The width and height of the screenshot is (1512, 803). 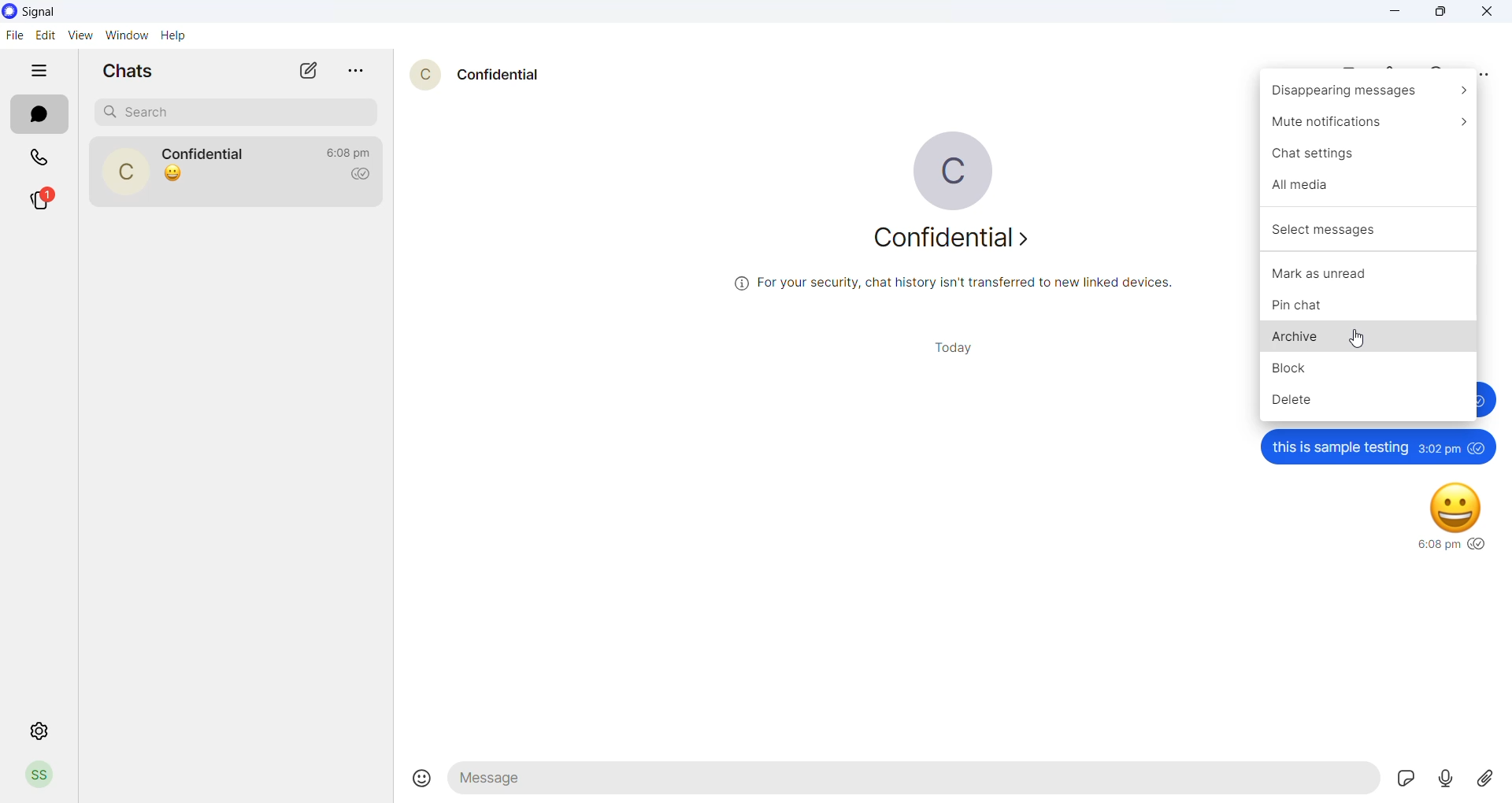 What do you see at coordinates (36, 775) in the screenshot?
I see `profile picture` at bounding box center [36, 775].